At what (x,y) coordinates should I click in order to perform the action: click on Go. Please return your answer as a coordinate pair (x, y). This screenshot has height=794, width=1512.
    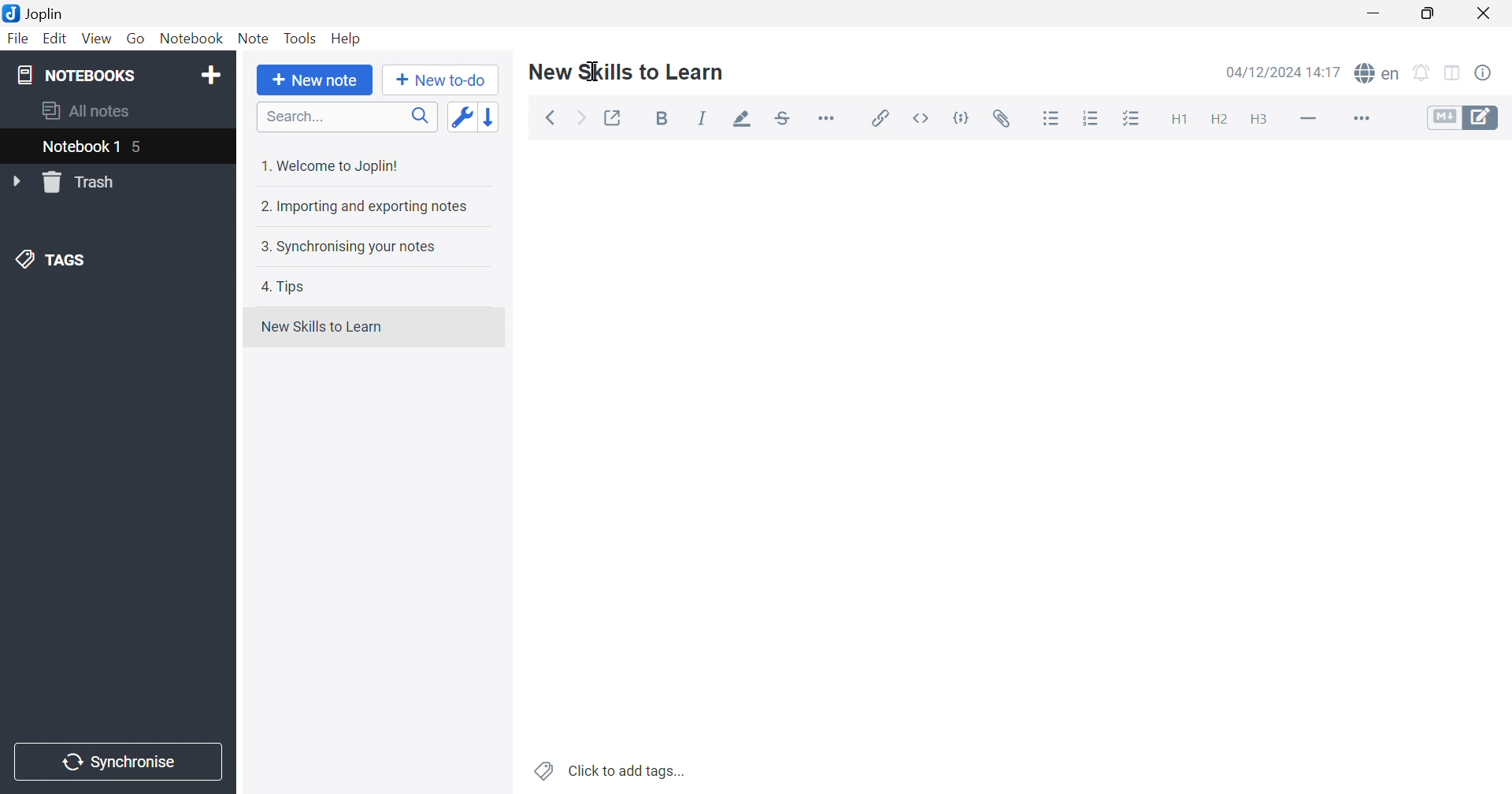
    Looking at the image, I should click on (135, 39).